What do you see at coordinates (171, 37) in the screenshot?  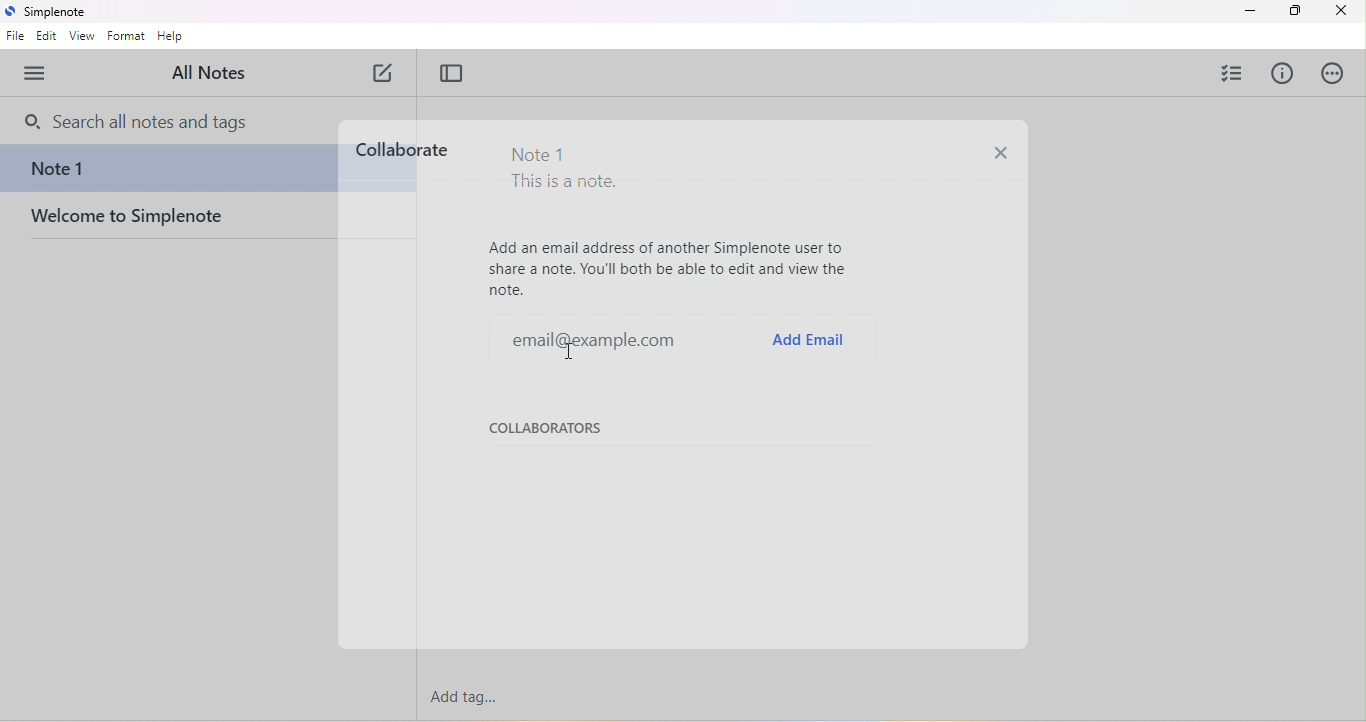 I see `help` at bounding box center [171, 37].